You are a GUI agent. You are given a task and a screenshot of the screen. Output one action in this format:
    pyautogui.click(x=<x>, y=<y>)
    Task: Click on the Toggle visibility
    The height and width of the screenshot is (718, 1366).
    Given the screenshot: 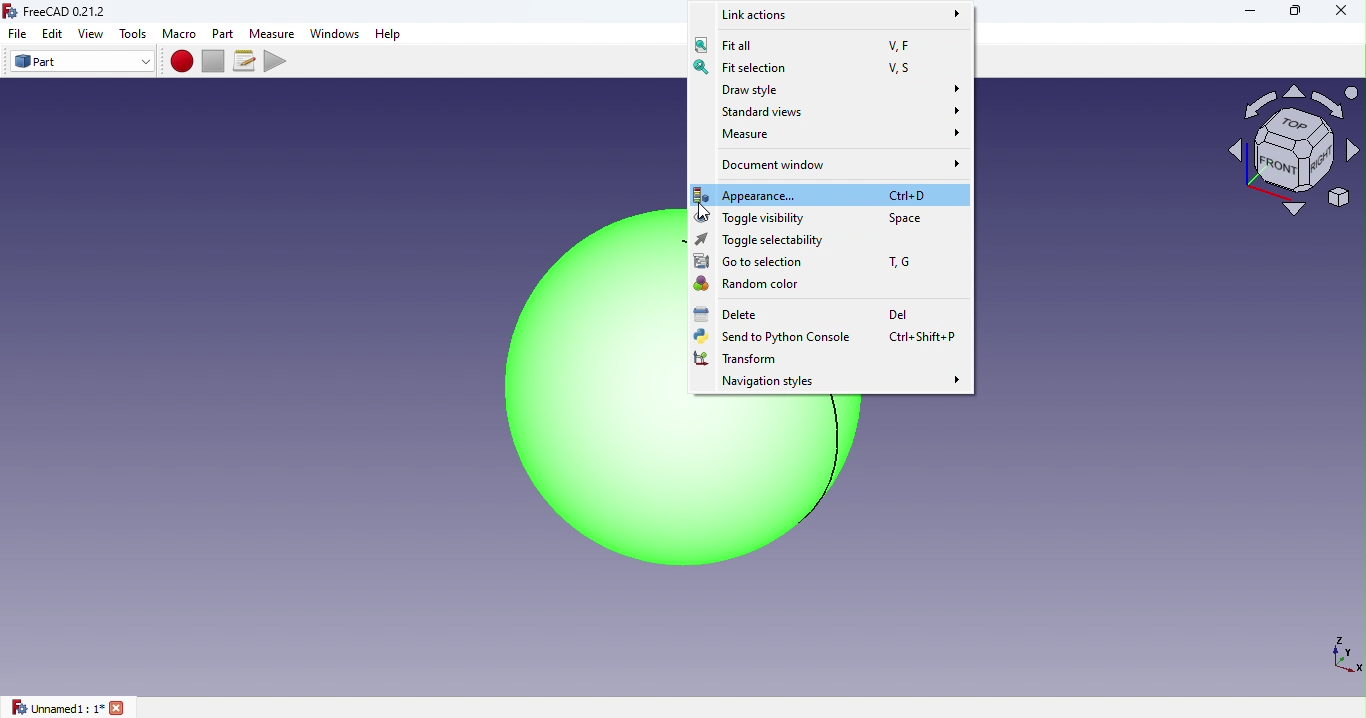 What is the action you would take?
    pyautogui.click(x=832, y=218)
    